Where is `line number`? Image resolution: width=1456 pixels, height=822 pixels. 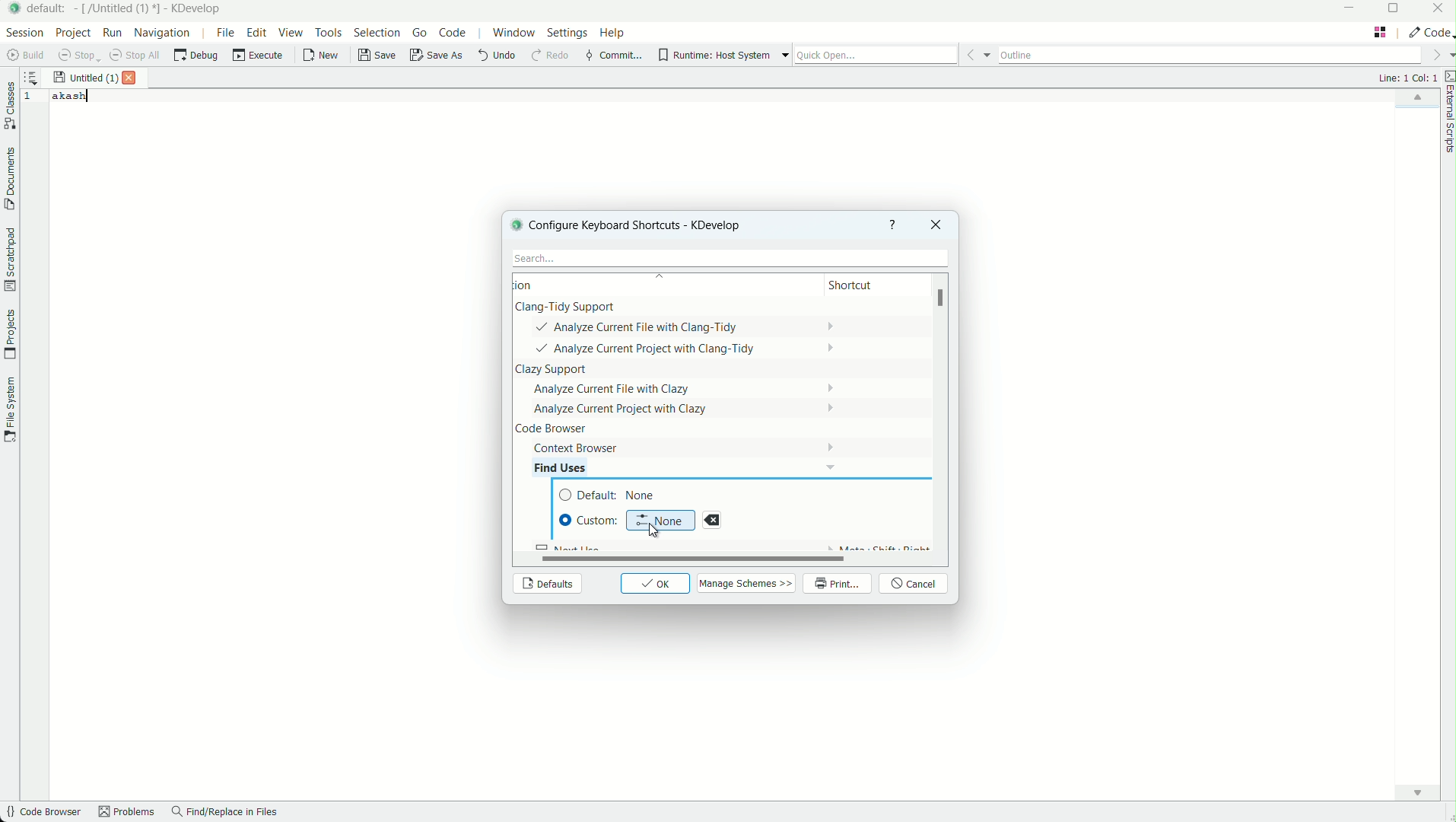
line number is located at coordinates (31, 97).